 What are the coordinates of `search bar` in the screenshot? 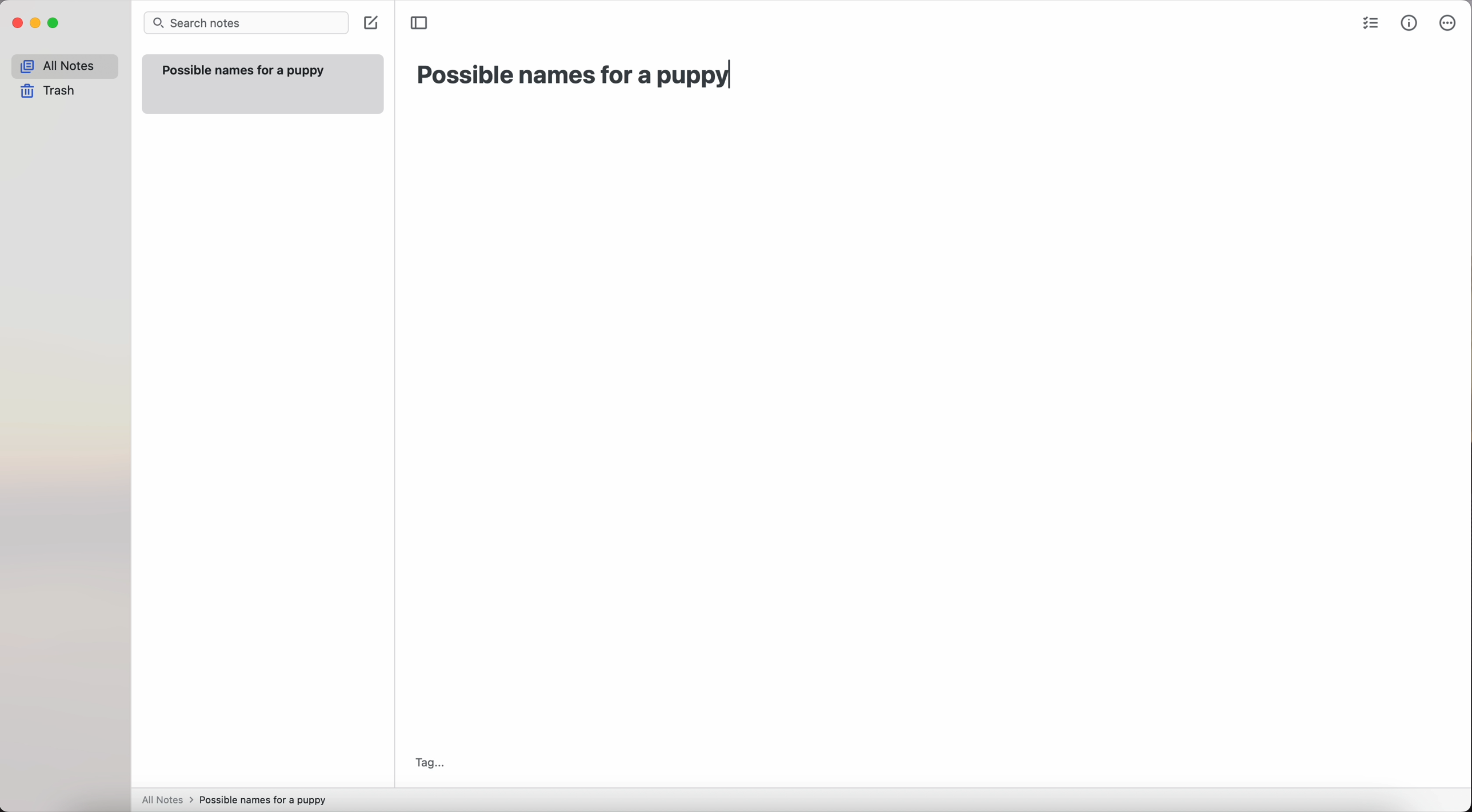 It's located at (246, 24).